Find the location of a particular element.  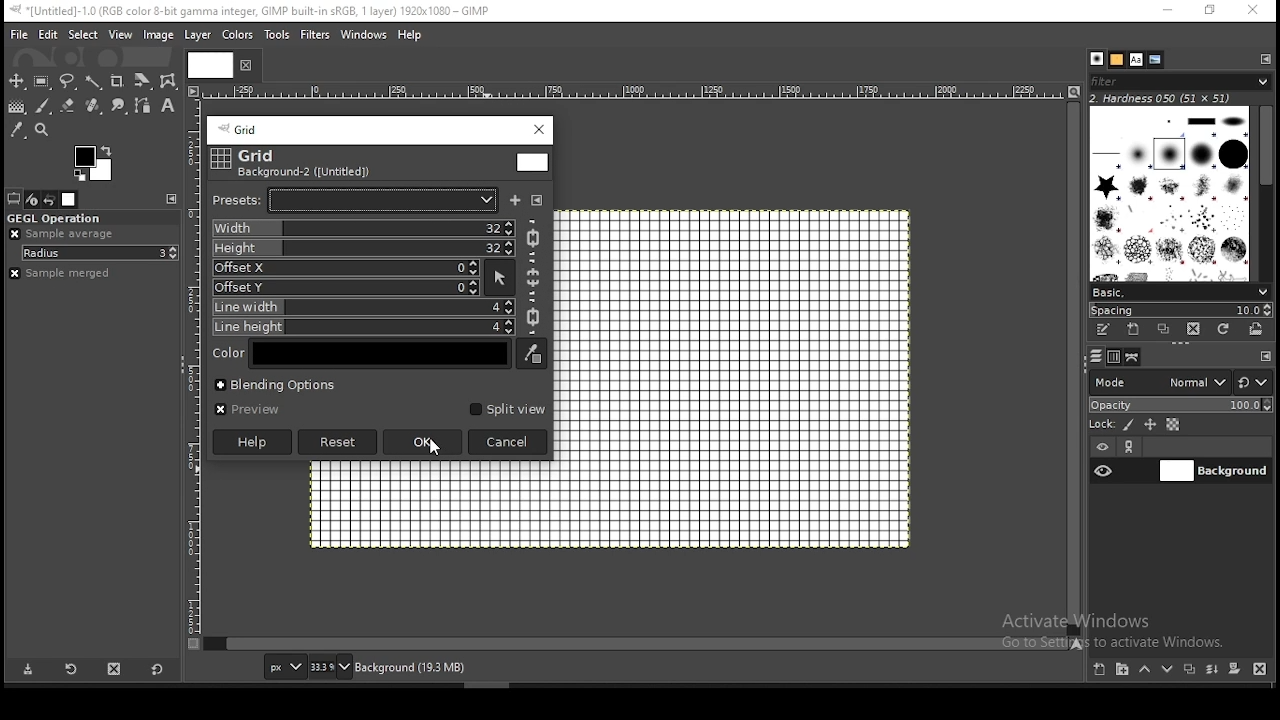

sample average is located at coordinates (60, 235).